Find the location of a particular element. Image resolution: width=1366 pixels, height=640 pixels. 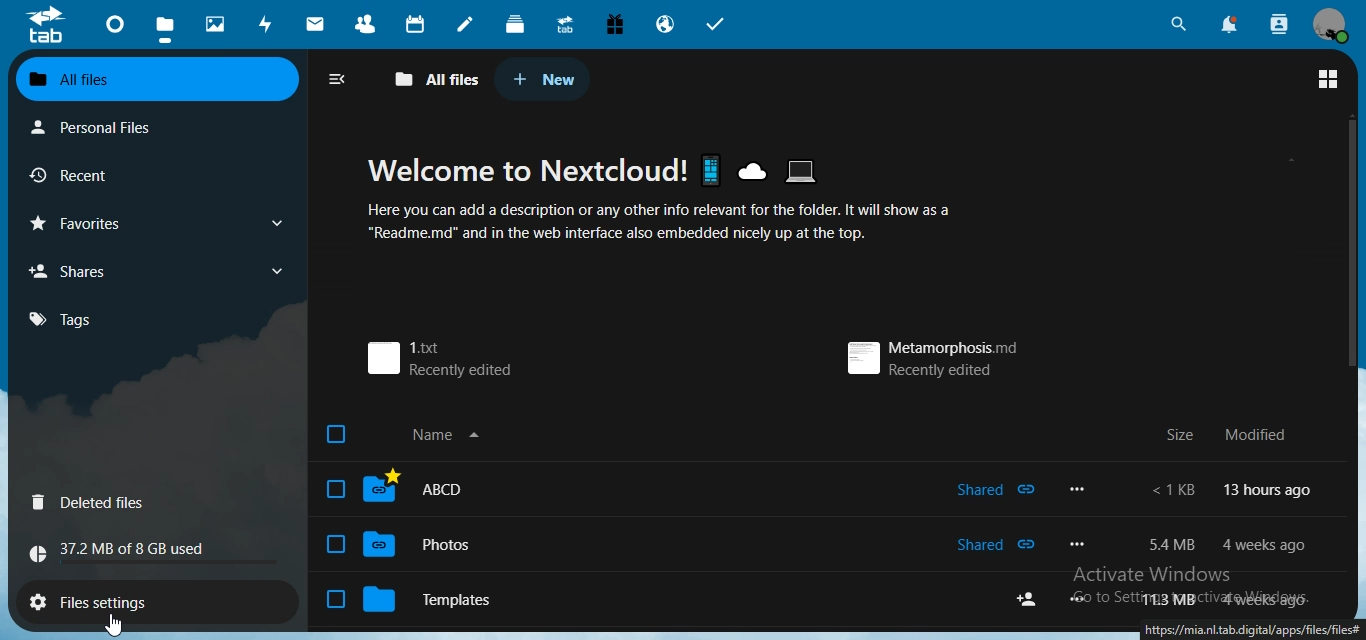

Templates is located at coordinates (438, 599).